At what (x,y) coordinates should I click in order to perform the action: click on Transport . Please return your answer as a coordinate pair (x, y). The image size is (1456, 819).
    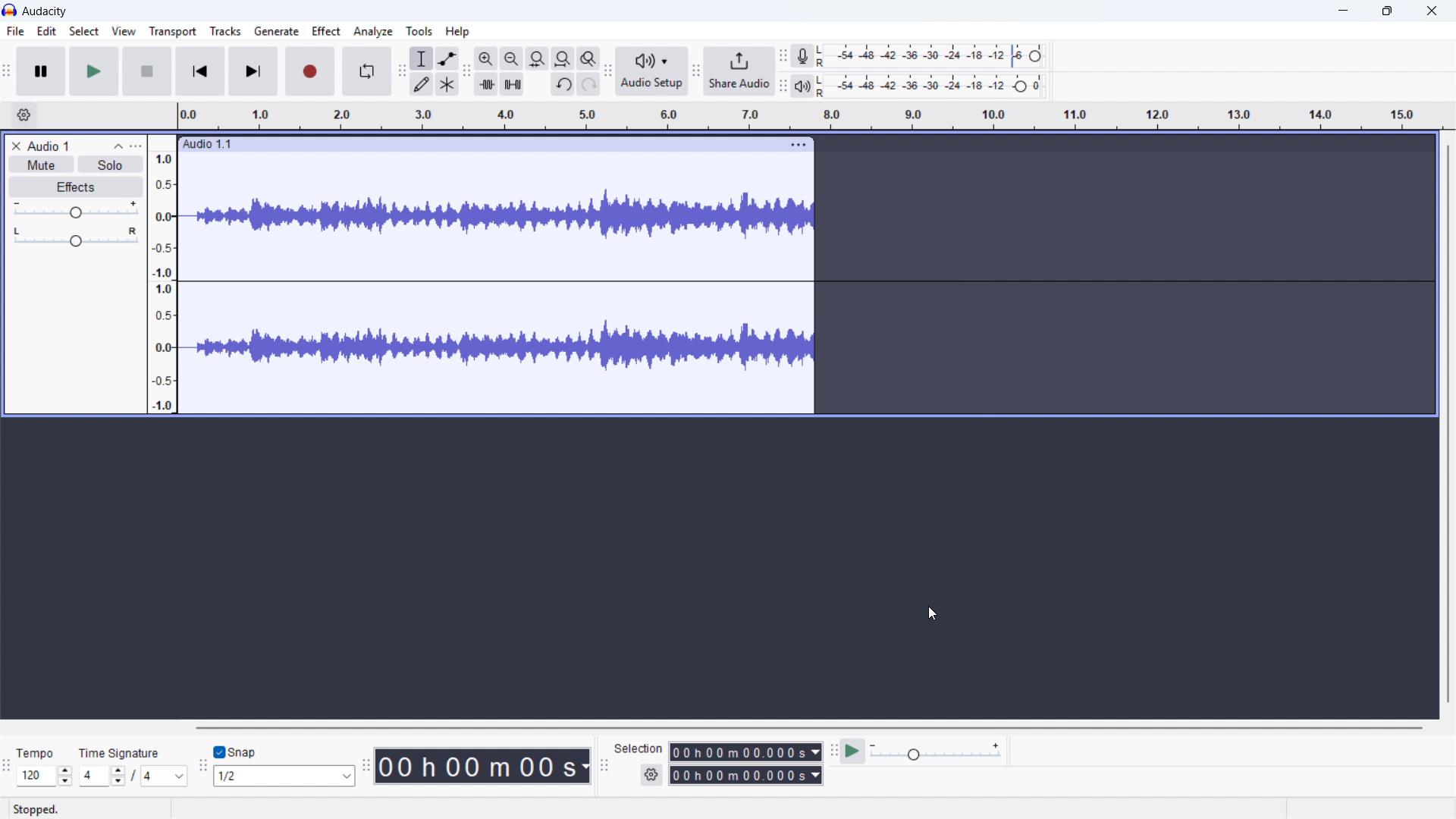
    Looking at the image, I should click on (173, 32).